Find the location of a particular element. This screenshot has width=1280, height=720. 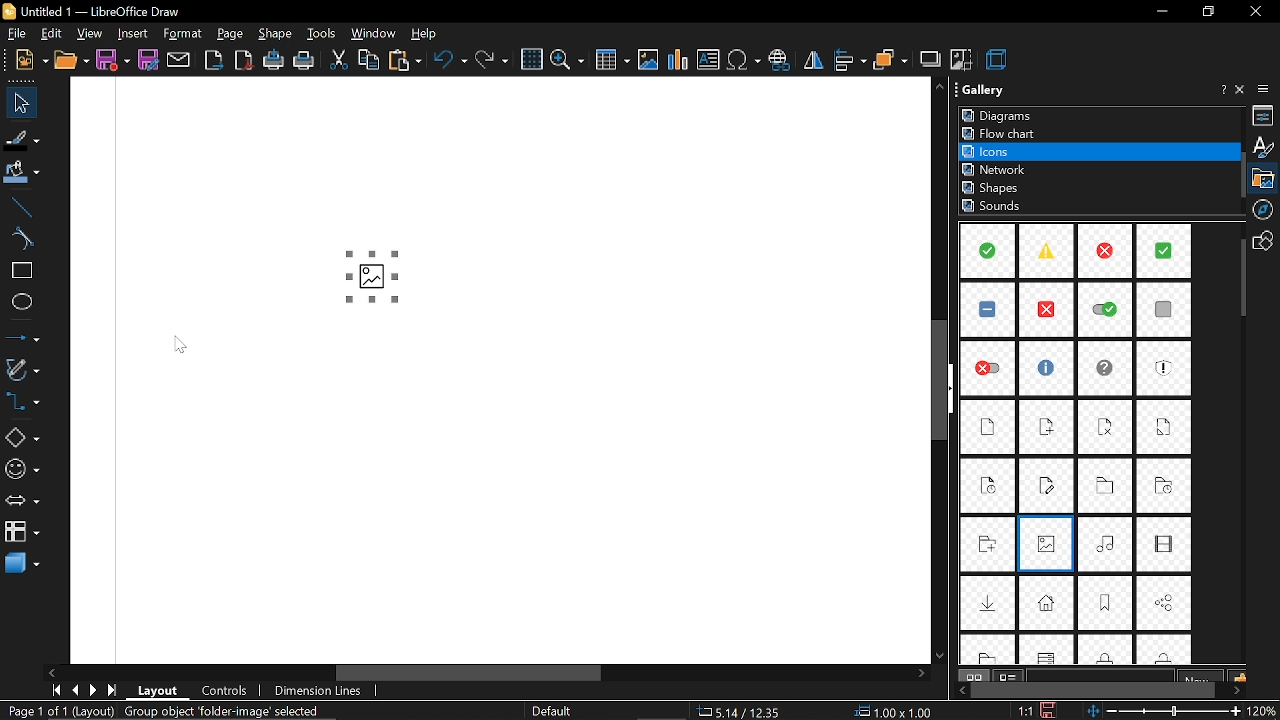

line is located at coordinates (18, 204).